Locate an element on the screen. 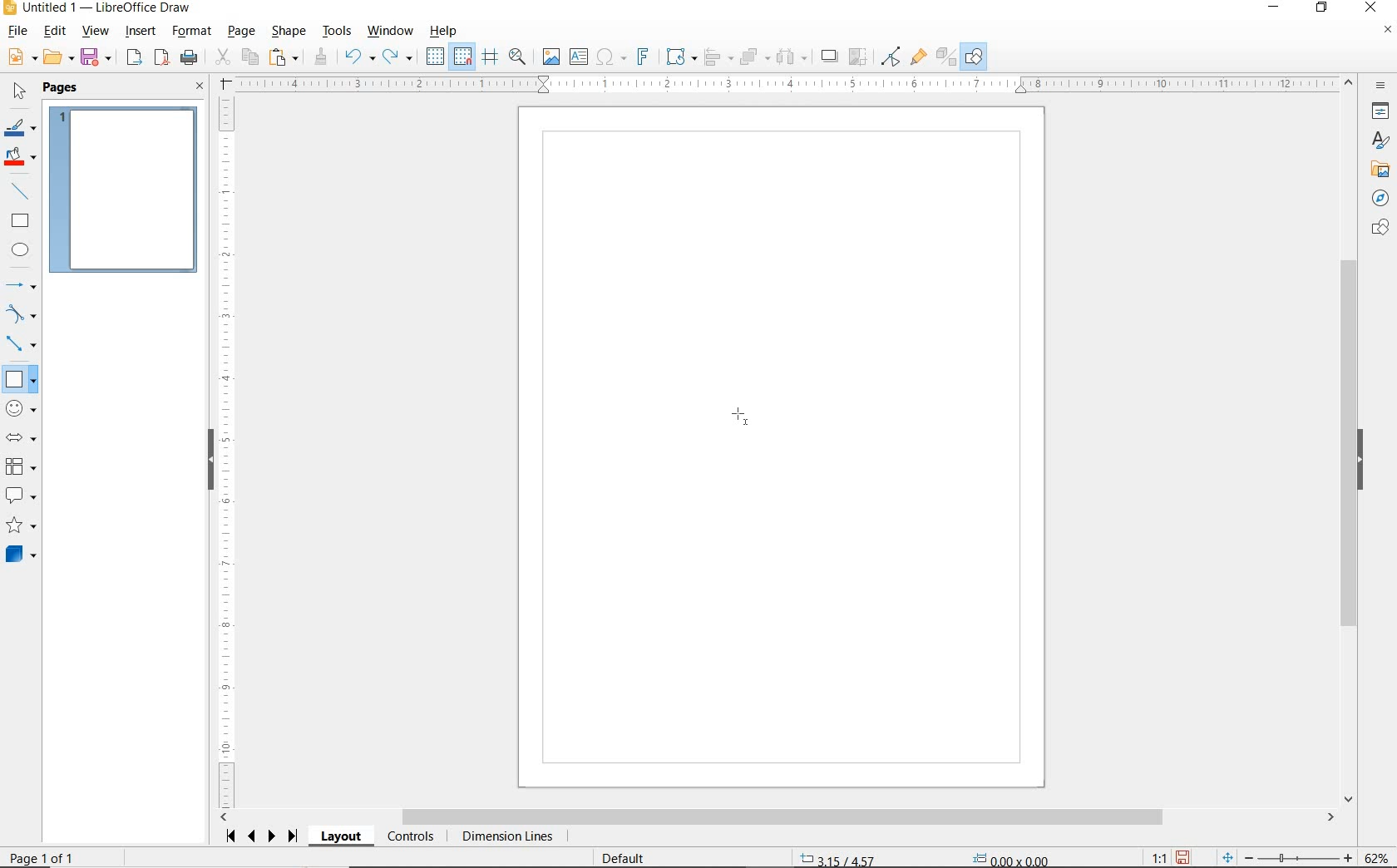  RULER is located at coordinates (787, 84).